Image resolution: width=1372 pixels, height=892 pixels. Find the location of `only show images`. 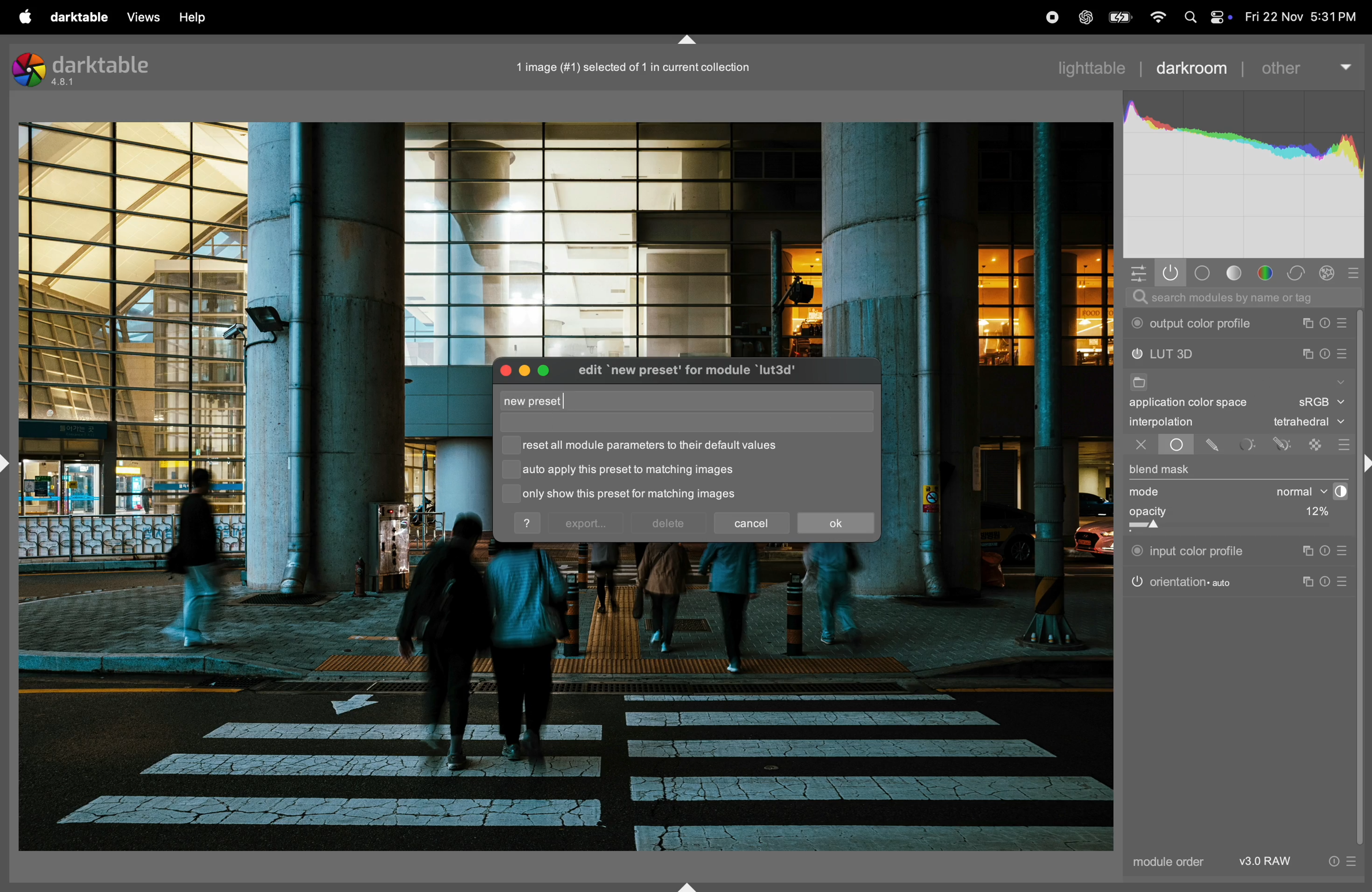

only show images is located at coordinates (644, 495).